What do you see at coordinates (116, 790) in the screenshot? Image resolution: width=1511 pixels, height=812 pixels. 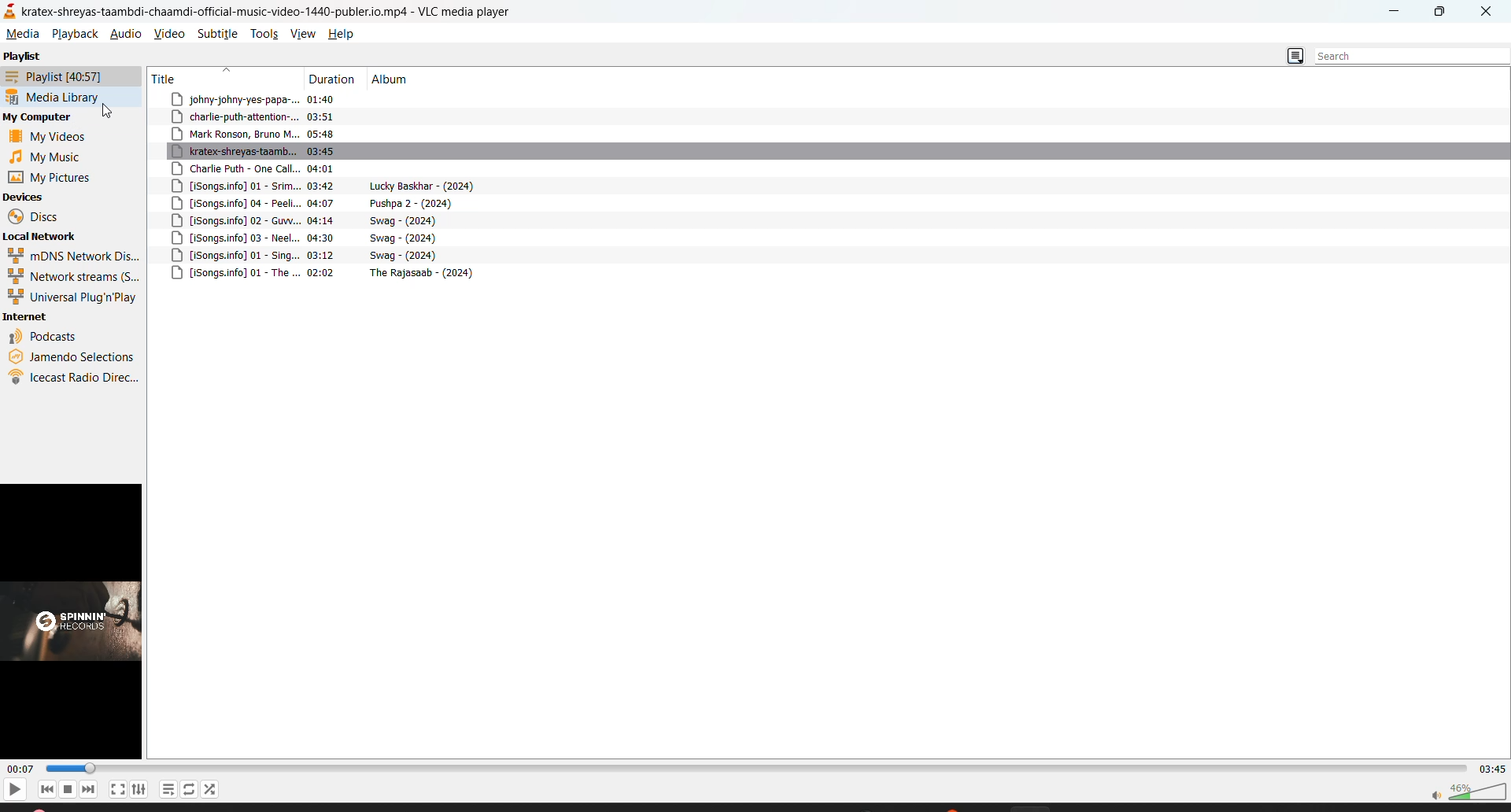 I see `fullscreen` at bounding box center [116, 790].